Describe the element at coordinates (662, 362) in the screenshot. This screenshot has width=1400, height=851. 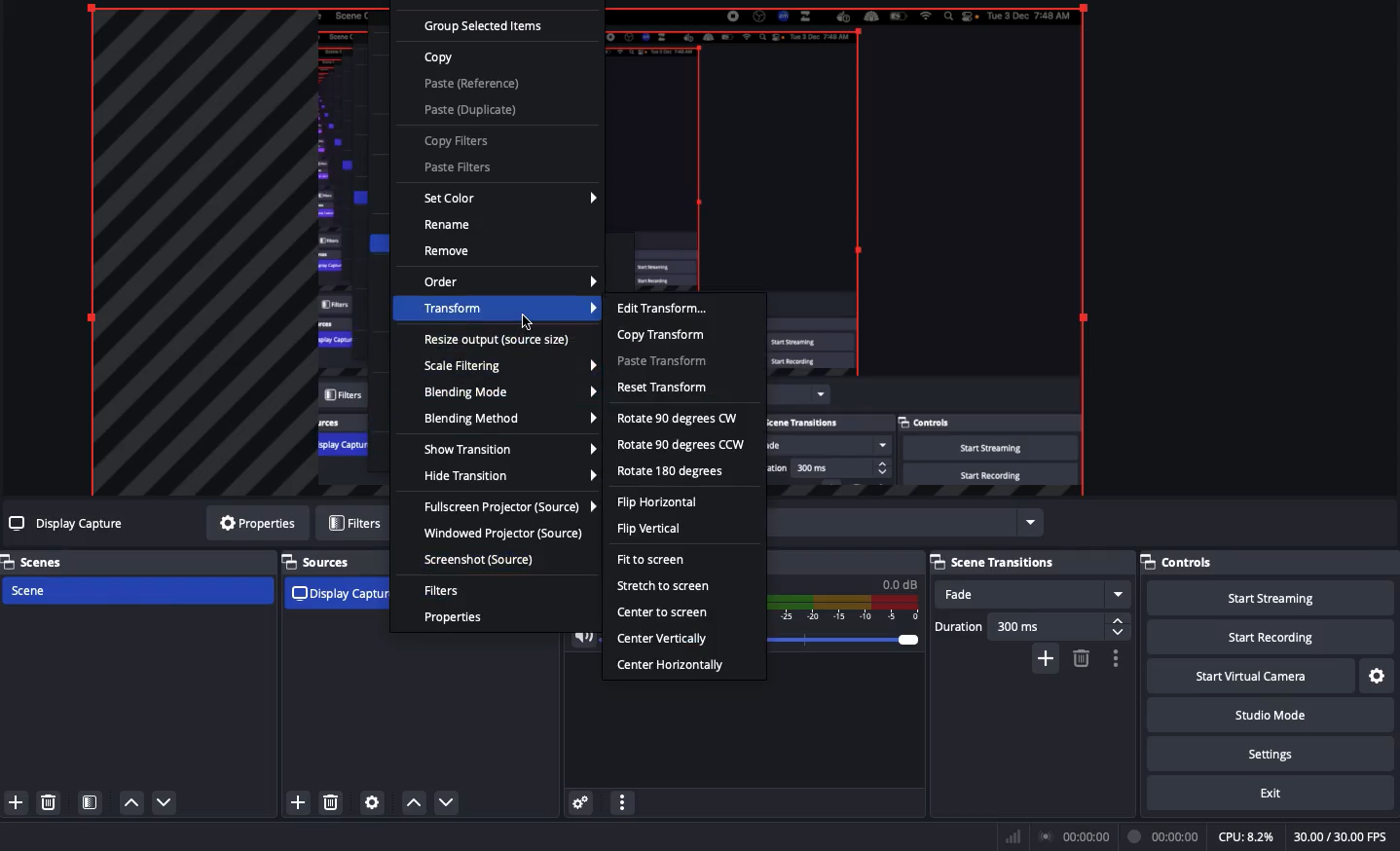
I see `Paste transform` at that location.